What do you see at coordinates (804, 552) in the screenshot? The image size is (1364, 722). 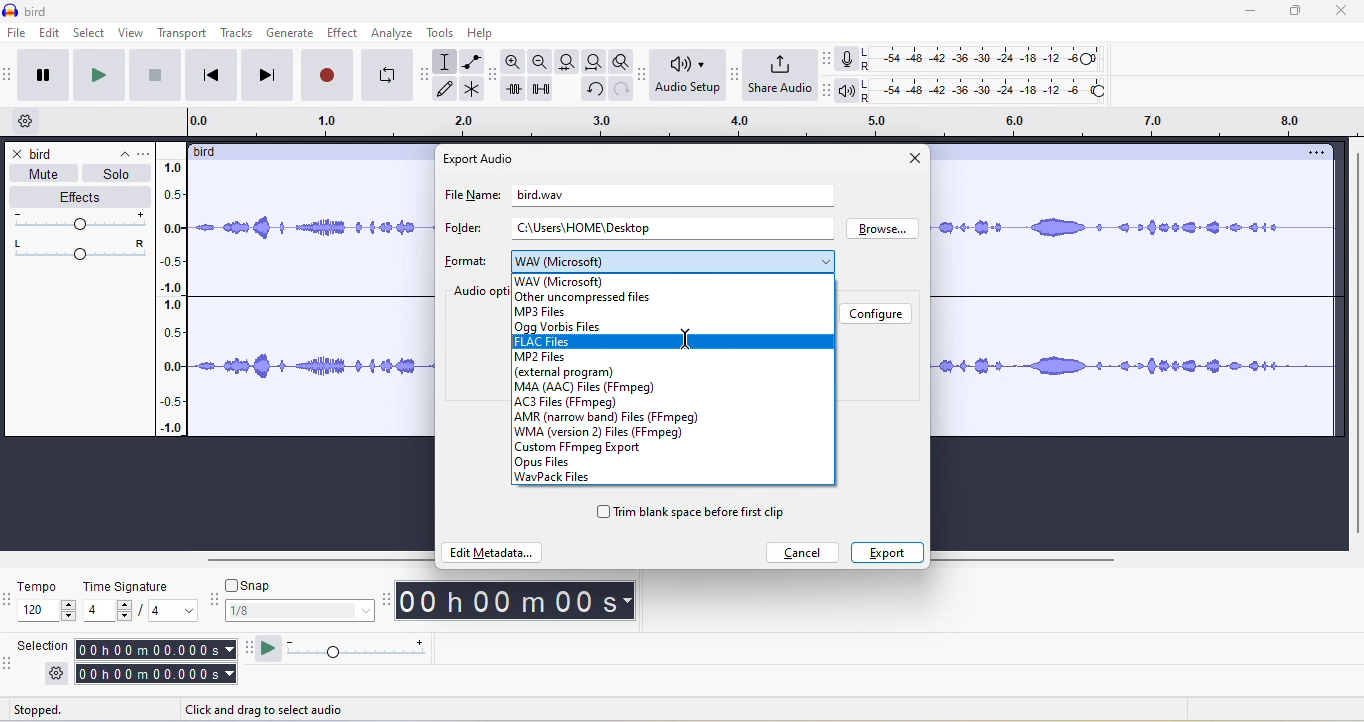 I see `cancel` at bounding box center [804, 552].